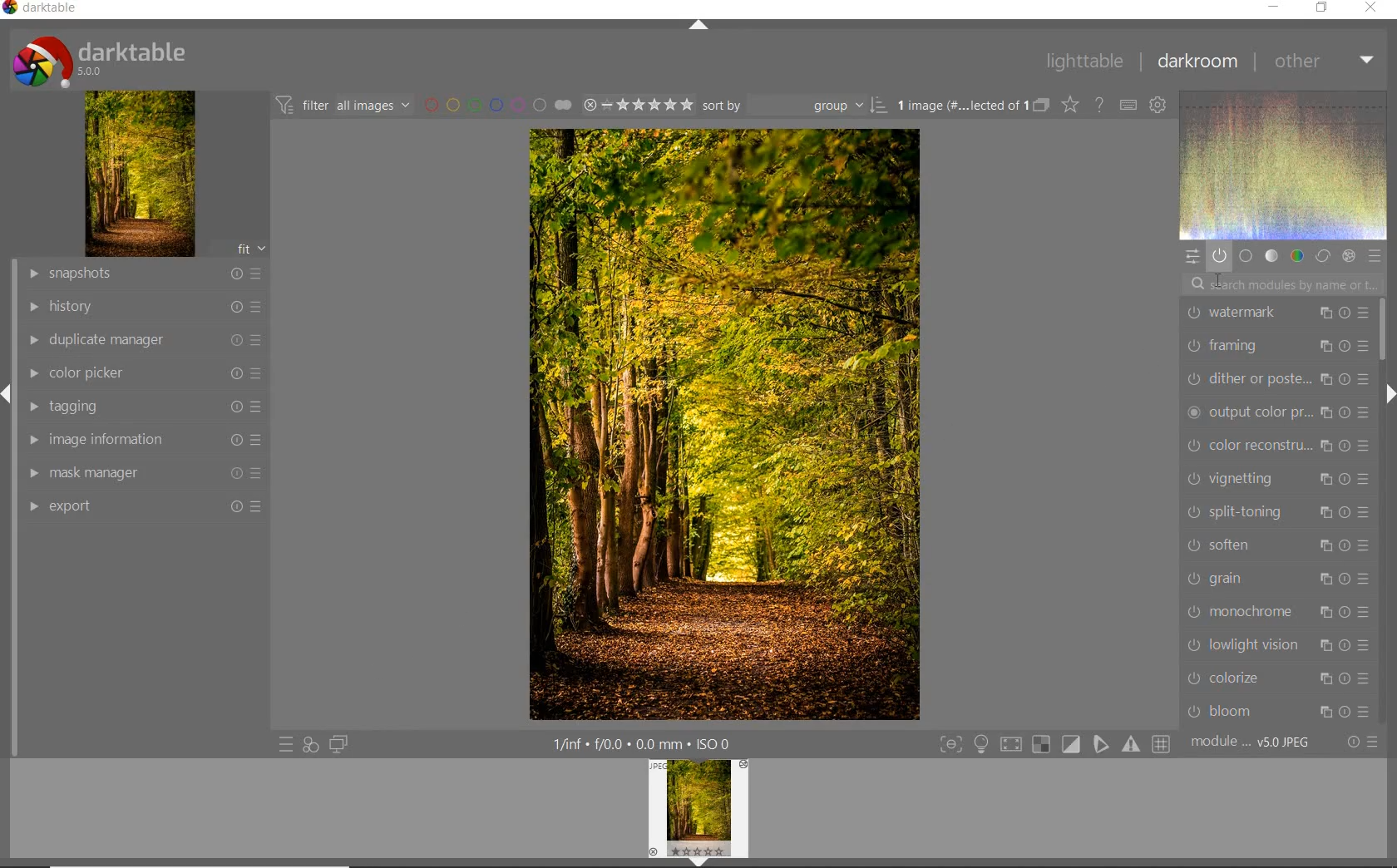 The height and width of the screenshot is (868, 1397). What do you see at coordinates (1277, 413) in the screenshot?
I see `output color preset` at bounding box center [1277, 413].